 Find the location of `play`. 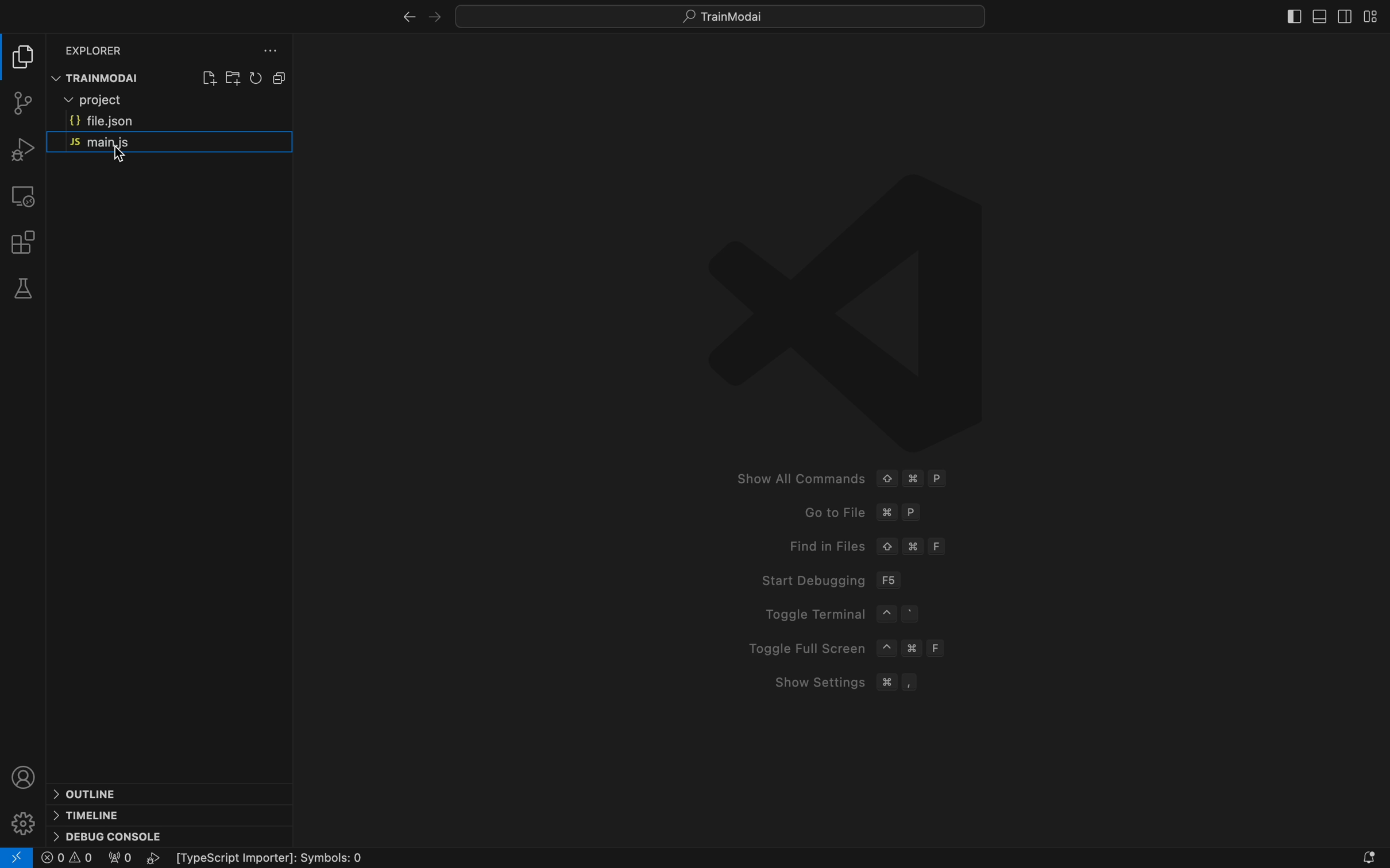

play is located at coordinates (154, 859).